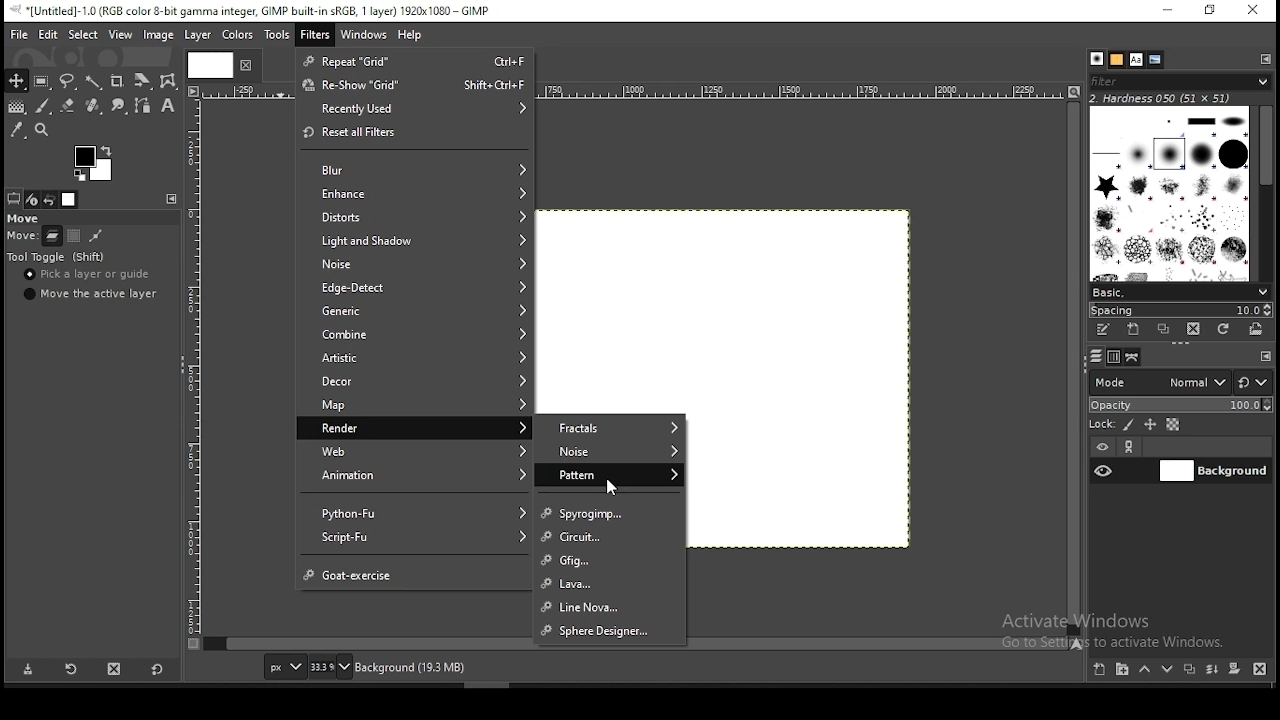  What do you see at coordinates (413, 427) in the screenshot?
I see `render` at bounding box center [413, 427].